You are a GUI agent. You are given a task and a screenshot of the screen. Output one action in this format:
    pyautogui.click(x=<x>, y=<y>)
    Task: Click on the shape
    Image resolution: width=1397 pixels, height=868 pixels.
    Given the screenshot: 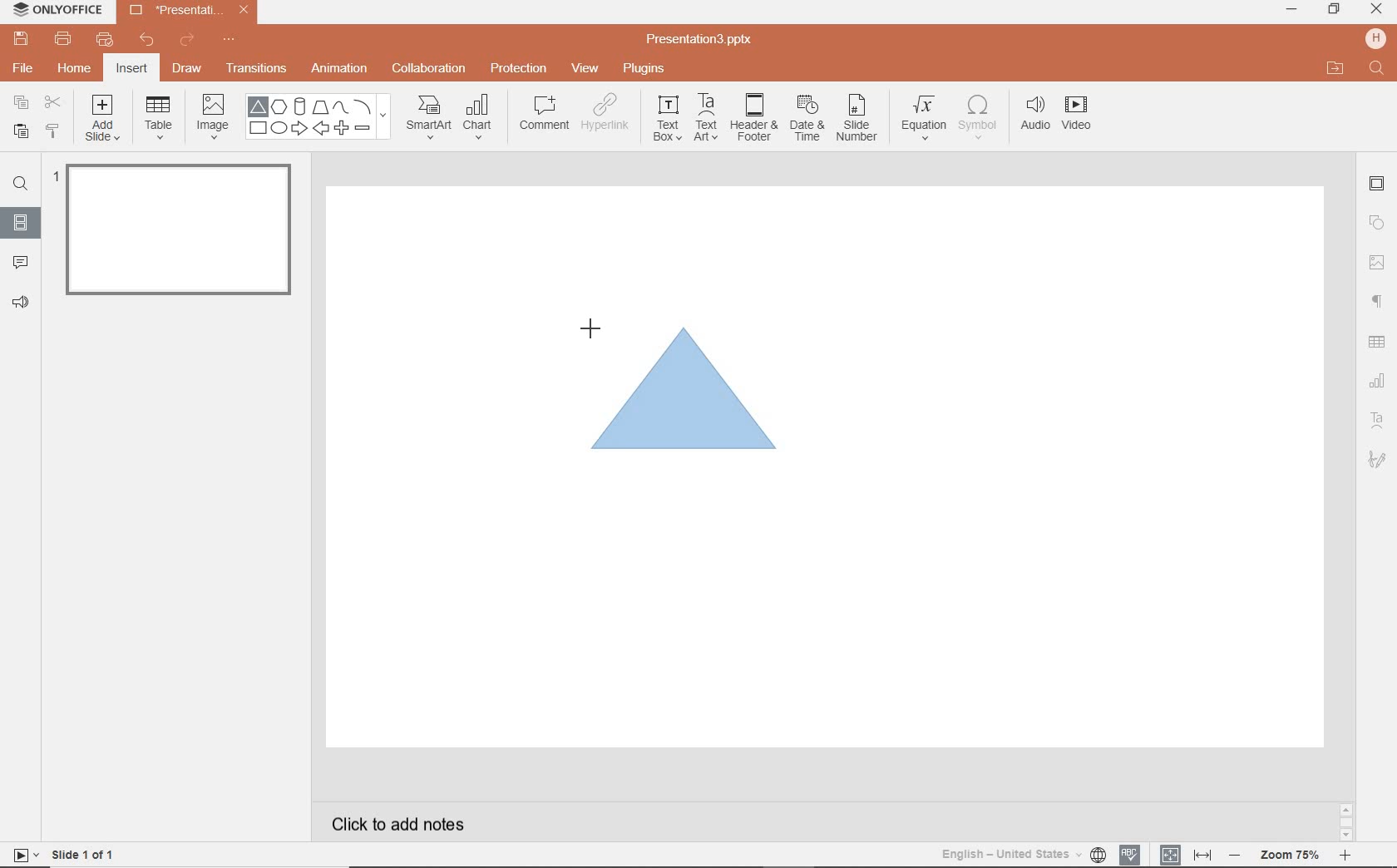 What is the action you would take?
    pyautogui.click(x=689, y=389)
    